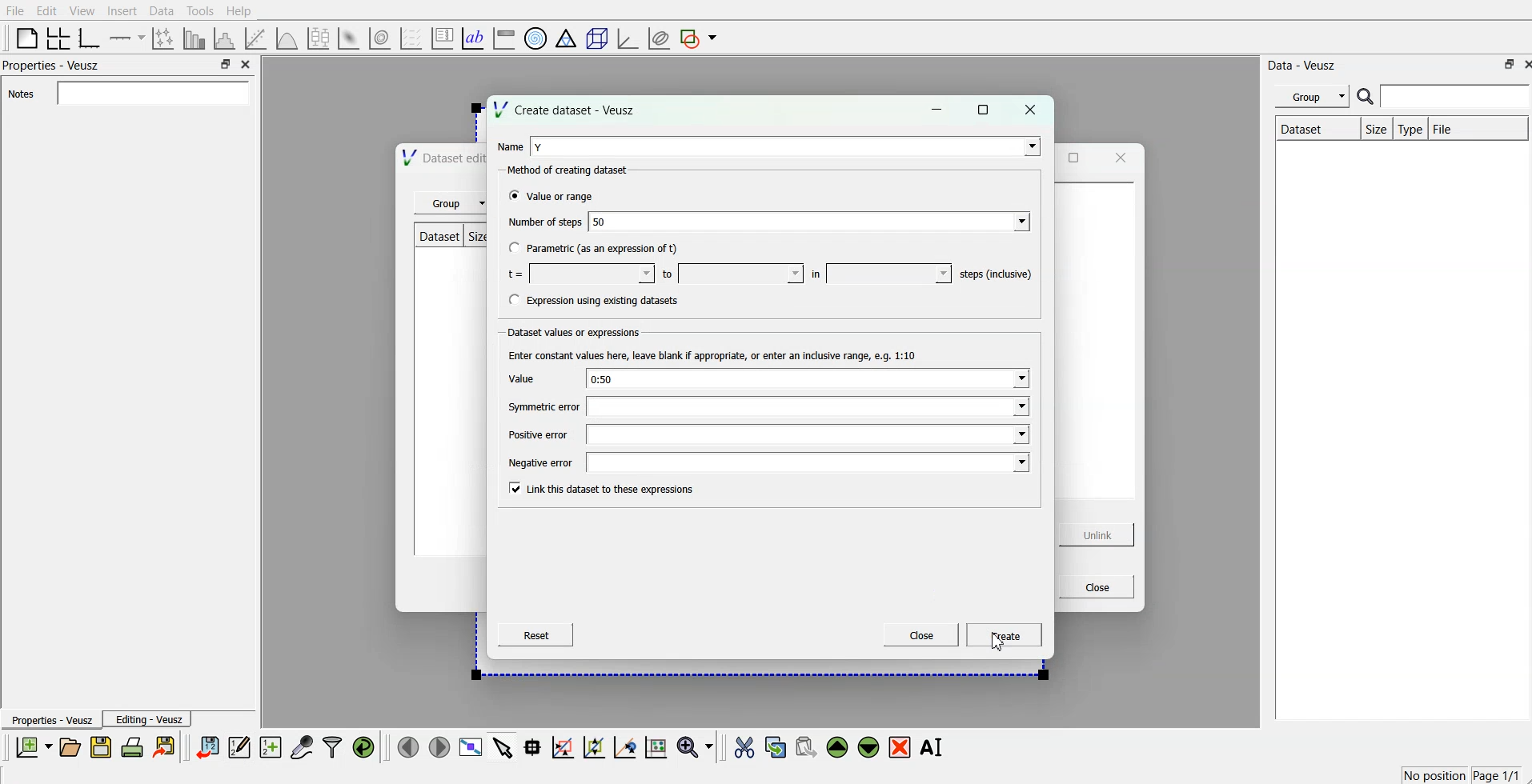 Image resolution: width=1532 pixels, height=784 pixels. What do you see at coordinates (200, 11) in the screenshot?
I see `Tools` at bounding box center [200, 11].